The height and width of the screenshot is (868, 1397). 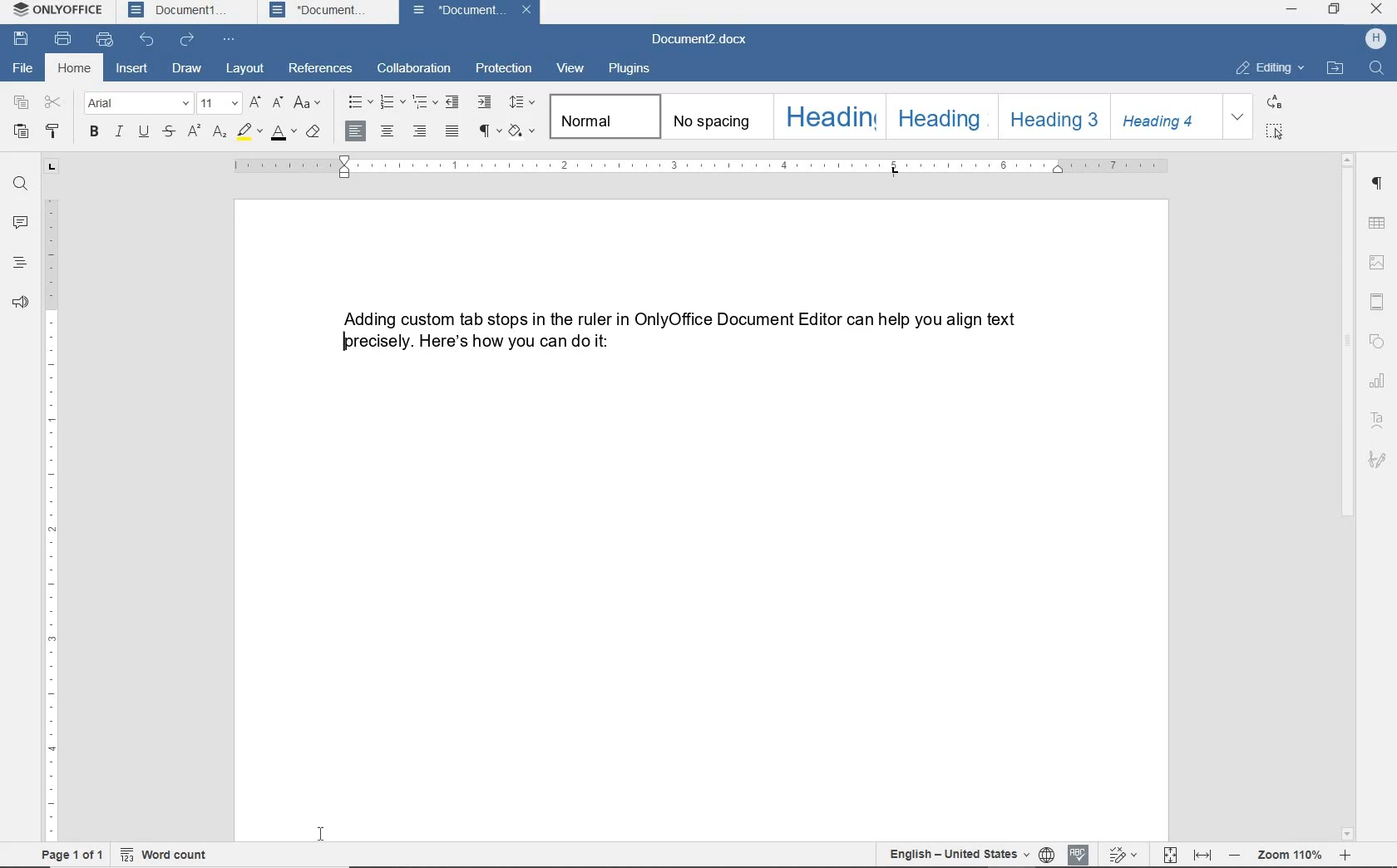 I want to click on onlyoffice tab, so click(x=55, y=12).